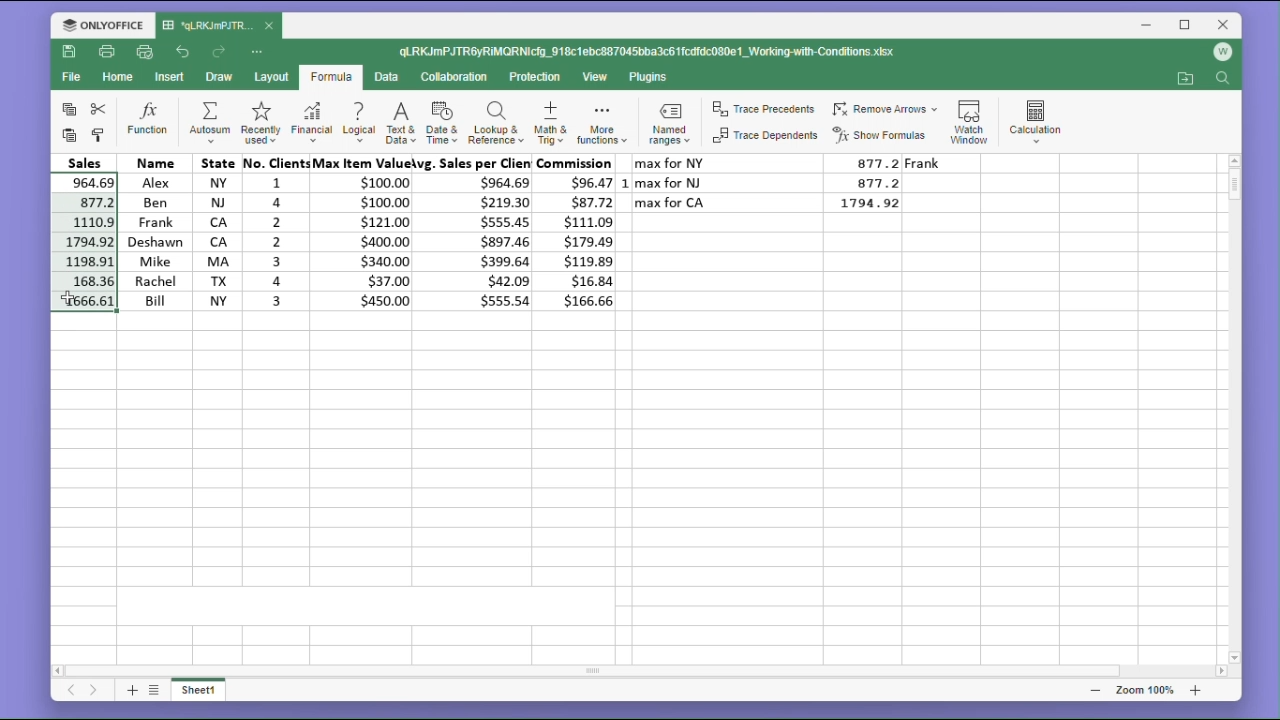  Describe the element at coordinates (183, 50) in the screenshot. I see `undo` at that location.